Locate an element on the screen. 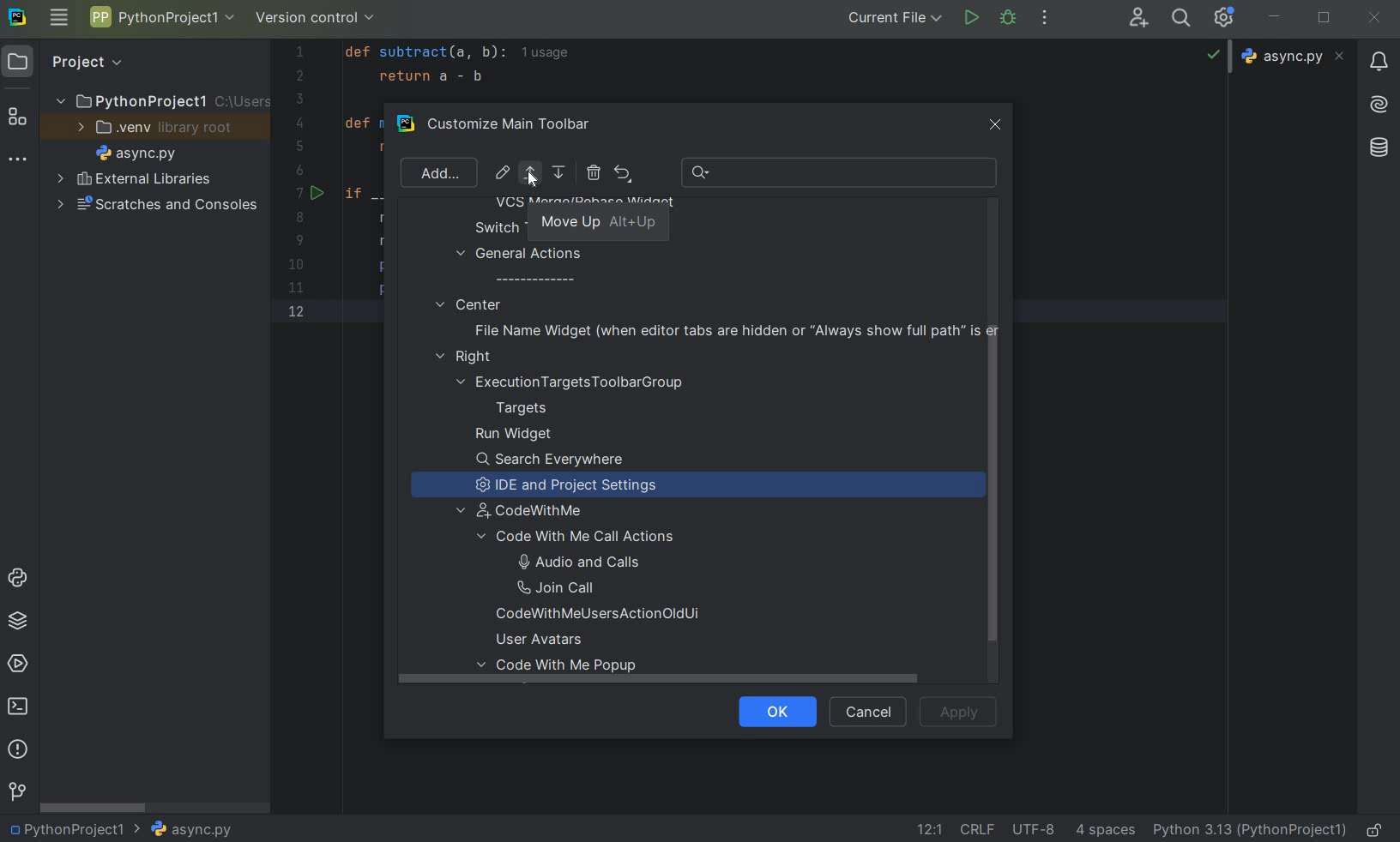 Image resolution: width=1400 pixels, height=842 pixels. MAIN MENU is located at coordinates (57, 19).